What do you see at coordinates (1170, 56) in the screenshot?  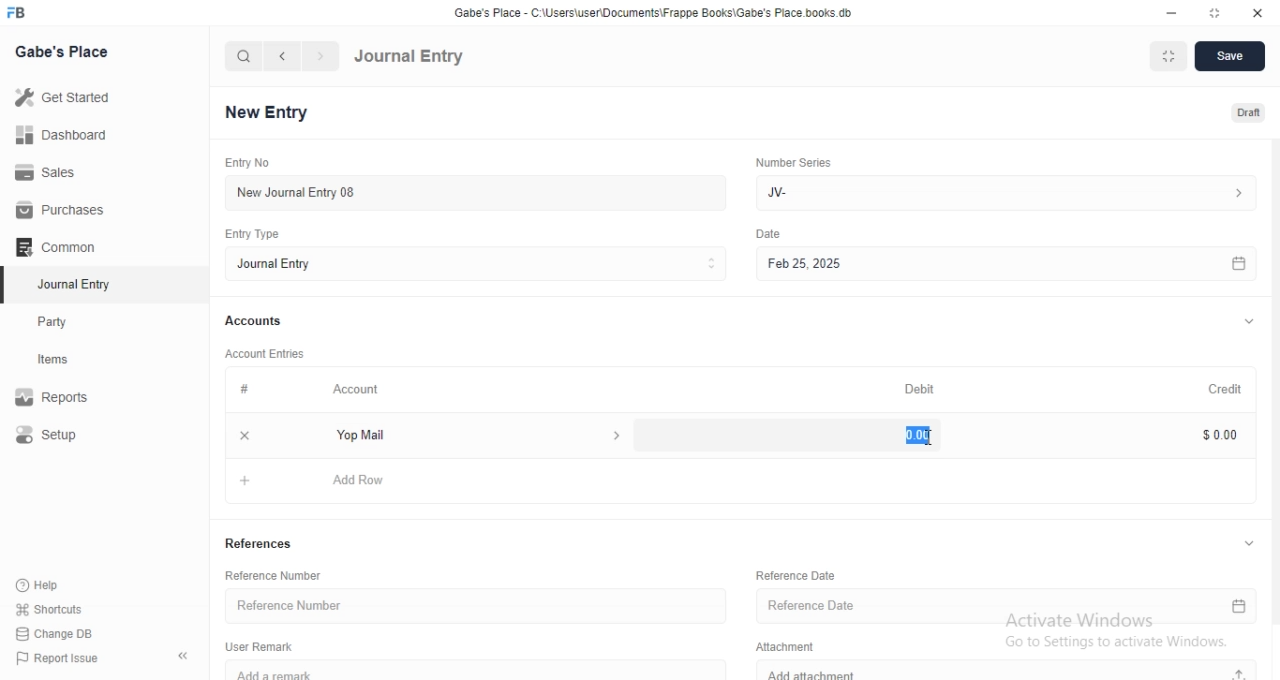 I see `Fit to Window` at bounding box center [1170, 56].